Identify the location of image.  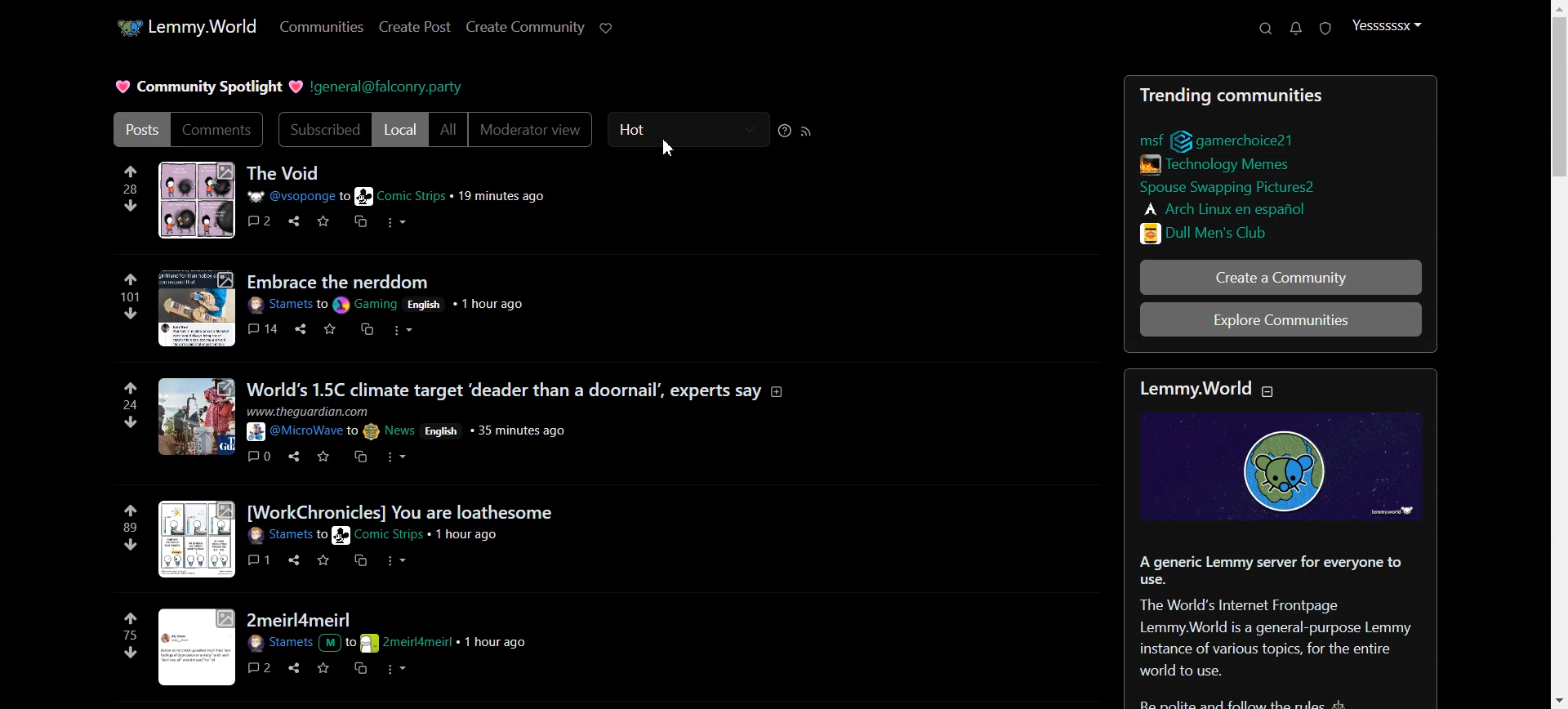
(195, 201).